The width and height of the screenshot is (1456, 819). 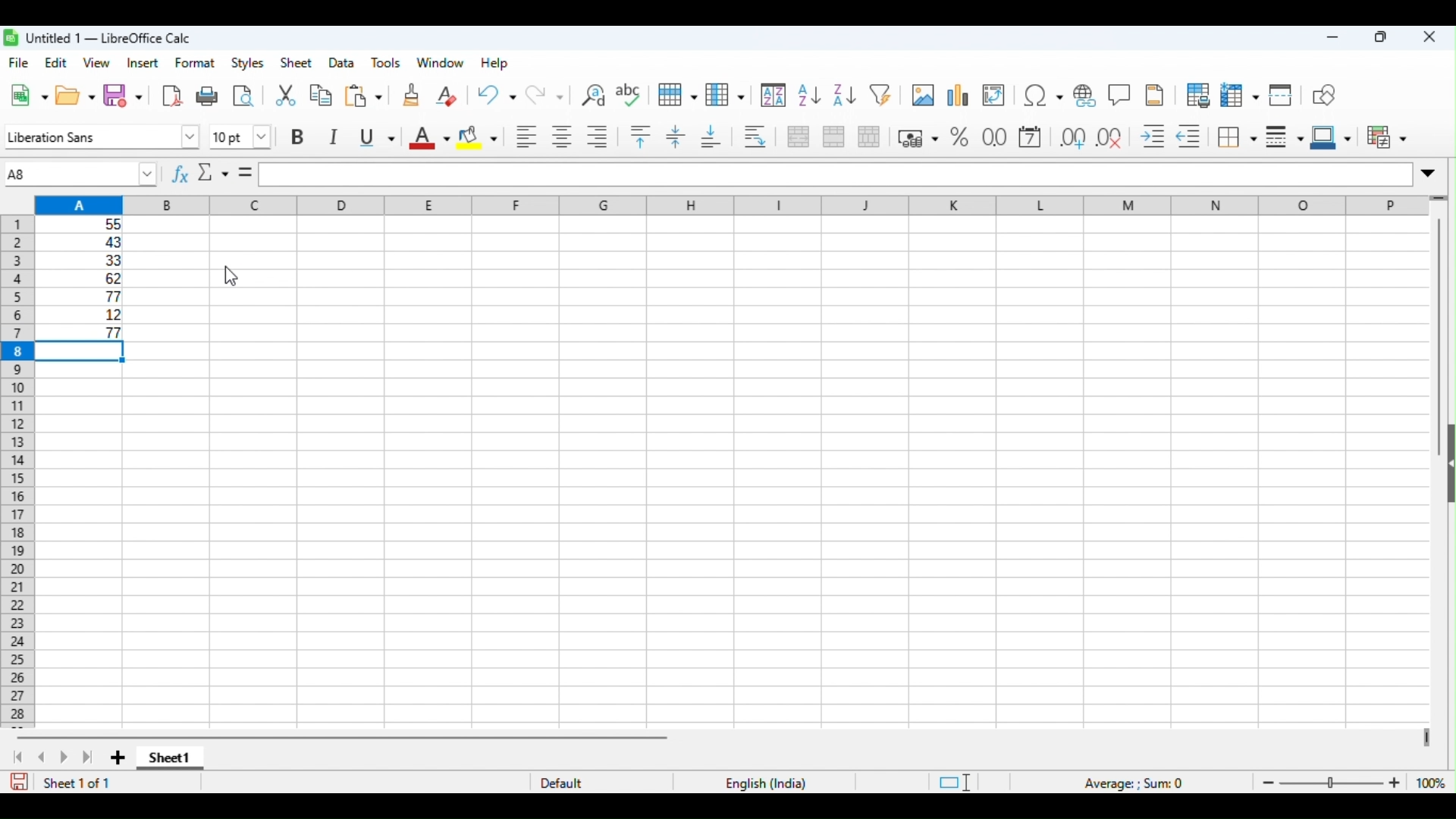 I want to click on window, so click(x=440, y=62).